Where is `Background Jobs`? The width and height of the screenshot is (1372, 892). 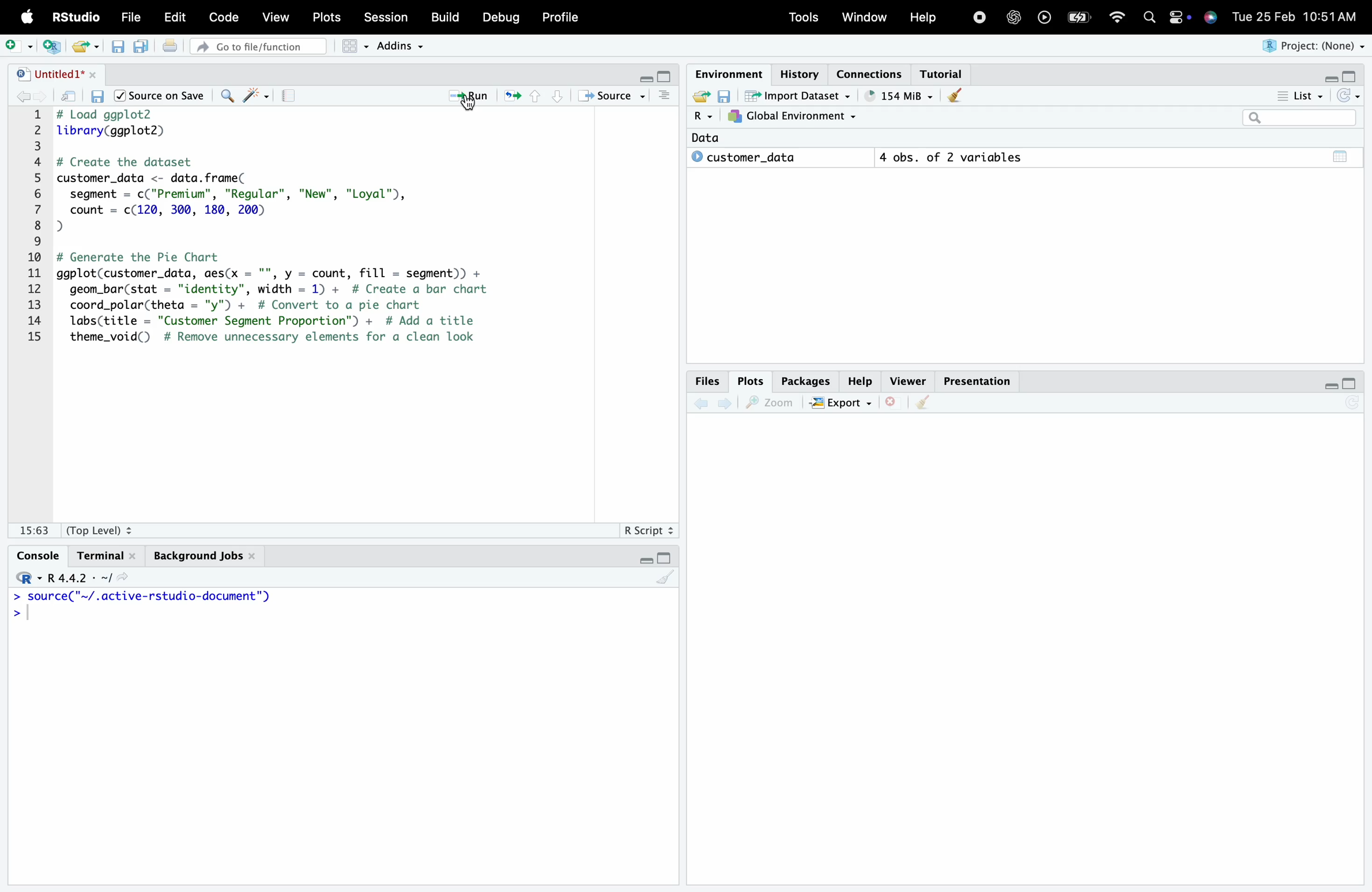 Background Jobs is located at coordinates (203, 557).